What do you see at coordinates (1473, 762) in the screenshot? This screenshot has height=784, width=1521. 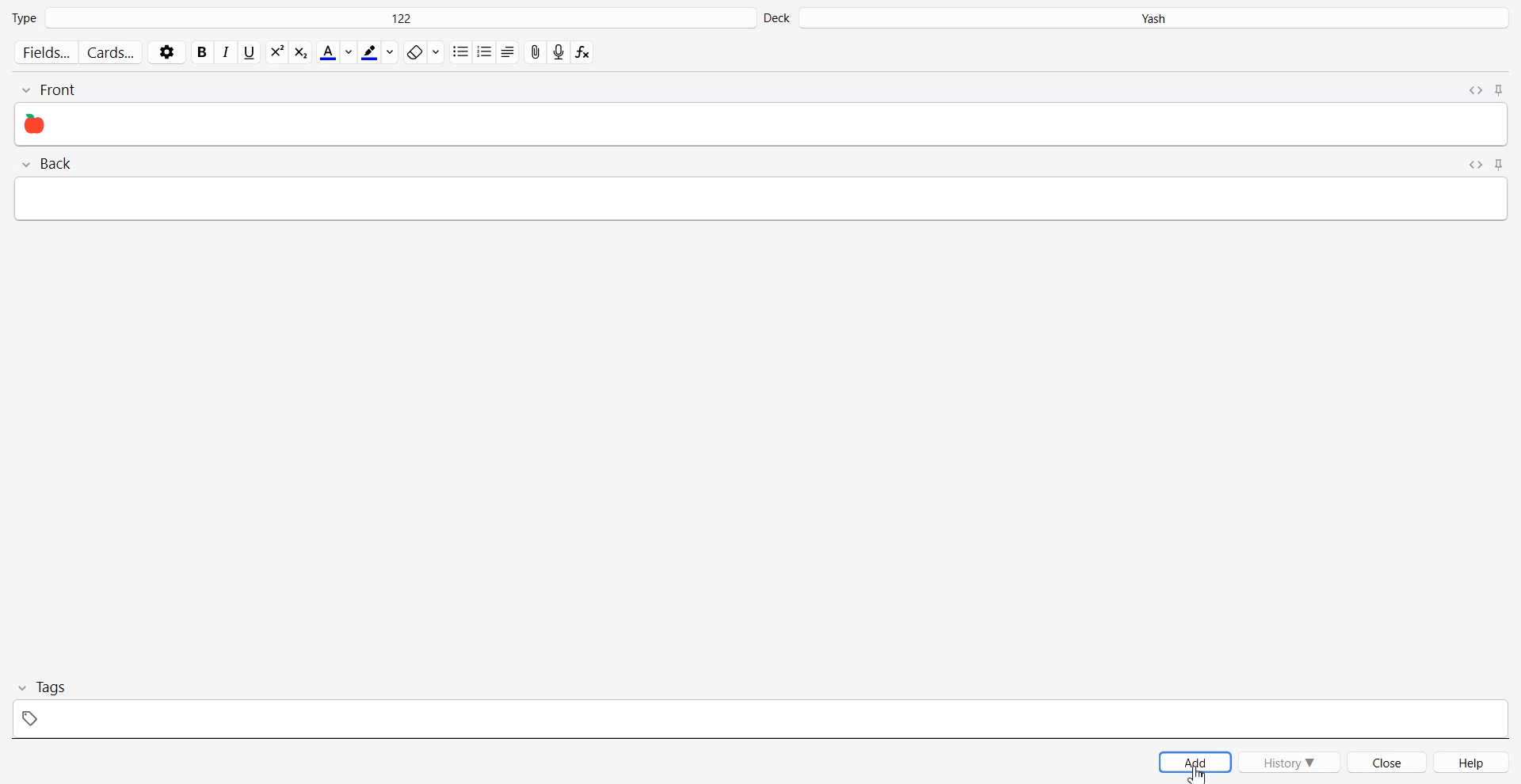 I see `Help` at bounding box center [1473, 762].